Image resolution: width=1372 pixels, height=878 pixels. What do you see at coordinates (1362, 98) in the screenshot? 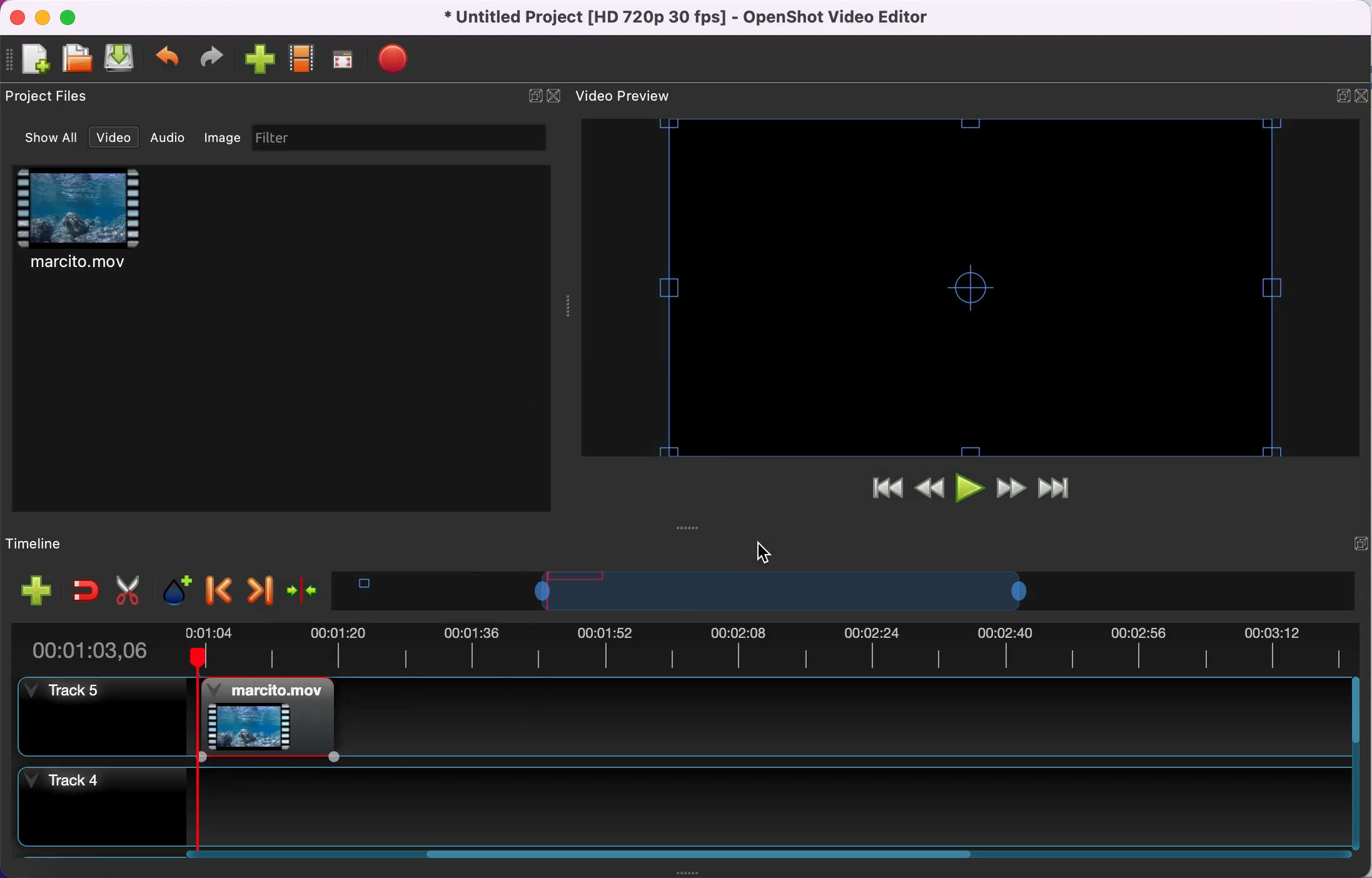
I see `close` at bounding box center [1362, 98].